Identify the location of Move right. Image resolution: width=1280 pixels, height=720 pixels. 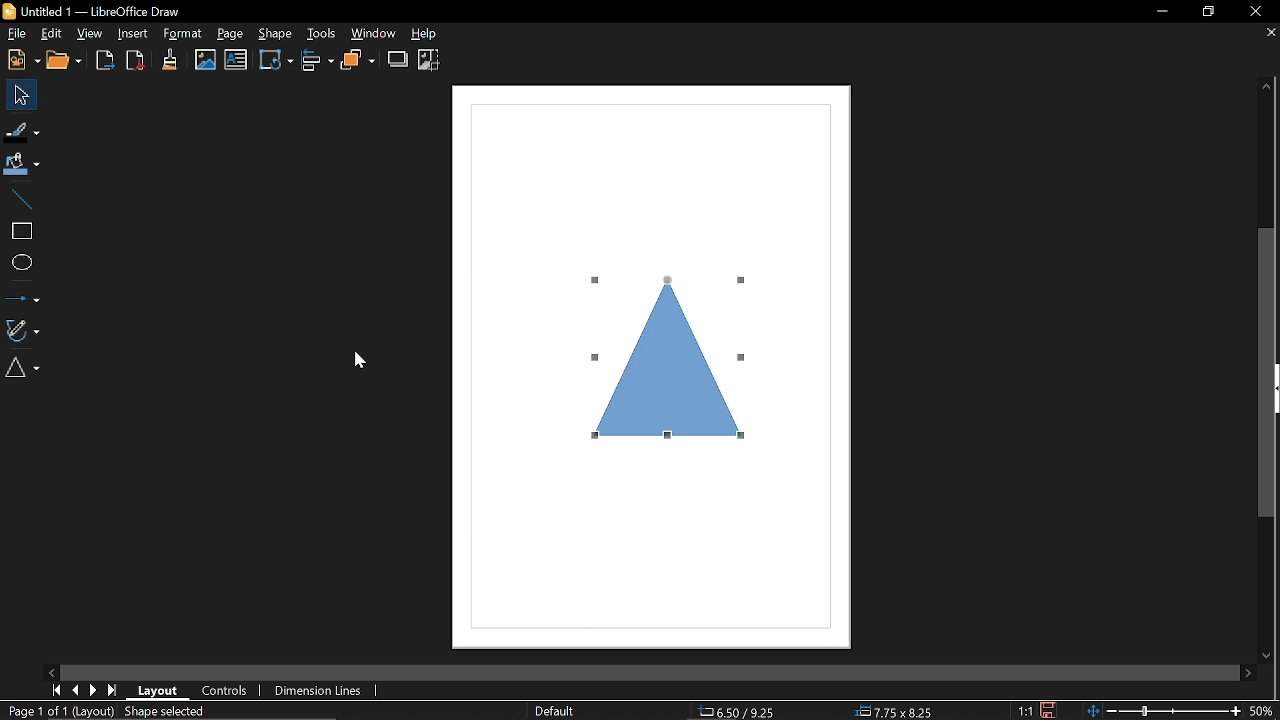
(1248, 673).